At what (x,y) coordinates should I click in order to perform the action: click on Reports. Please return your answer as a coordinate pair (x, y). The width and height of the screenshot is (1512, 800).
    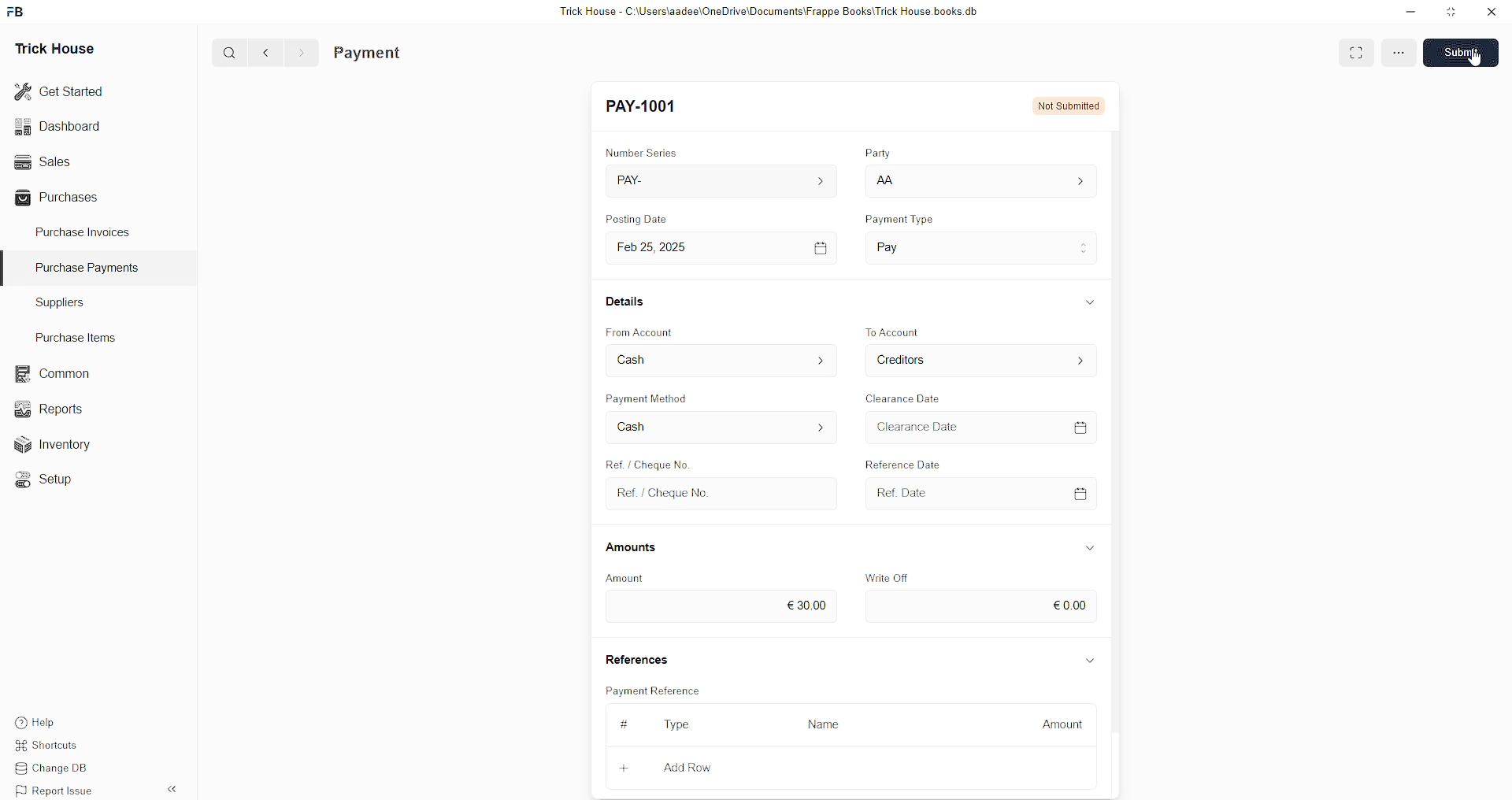
    Looking at the image, I should click on (54, 407).